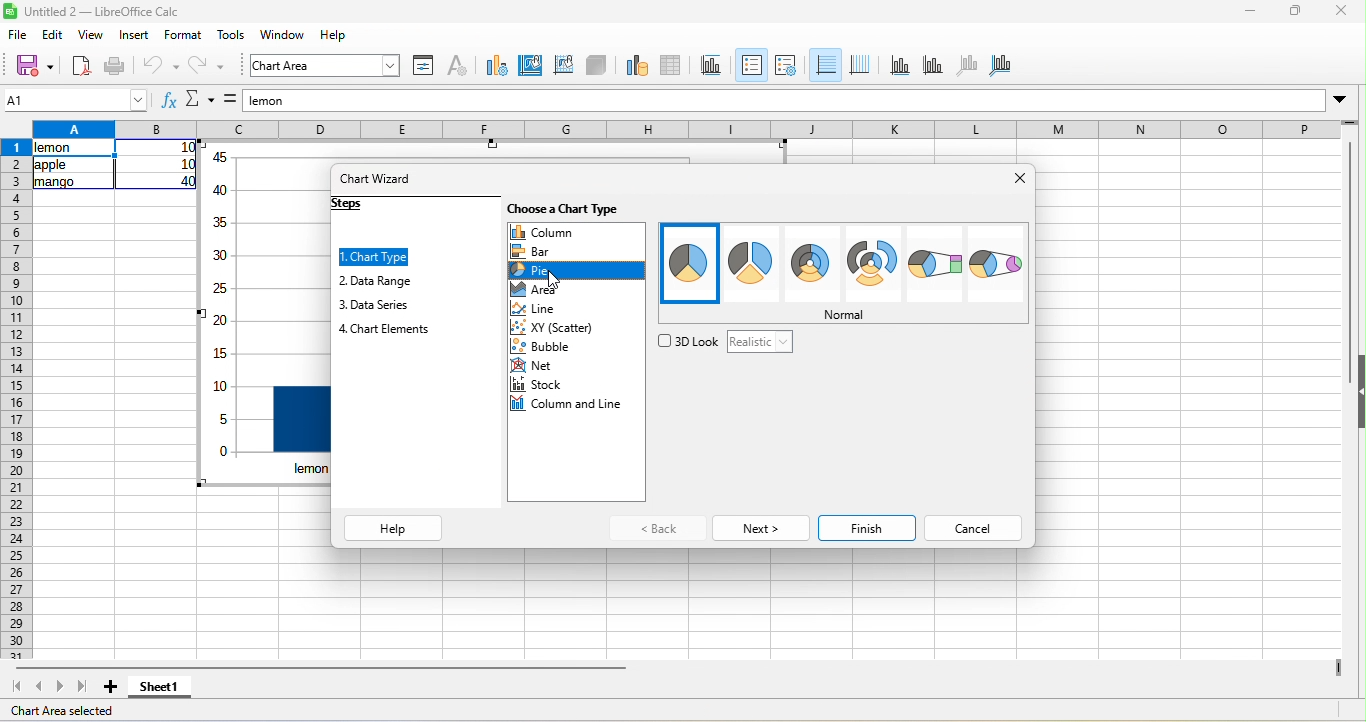  What do you see at coordinates (35, 64) in the screenshot?
I see `save` at bounding box center [35, 64].